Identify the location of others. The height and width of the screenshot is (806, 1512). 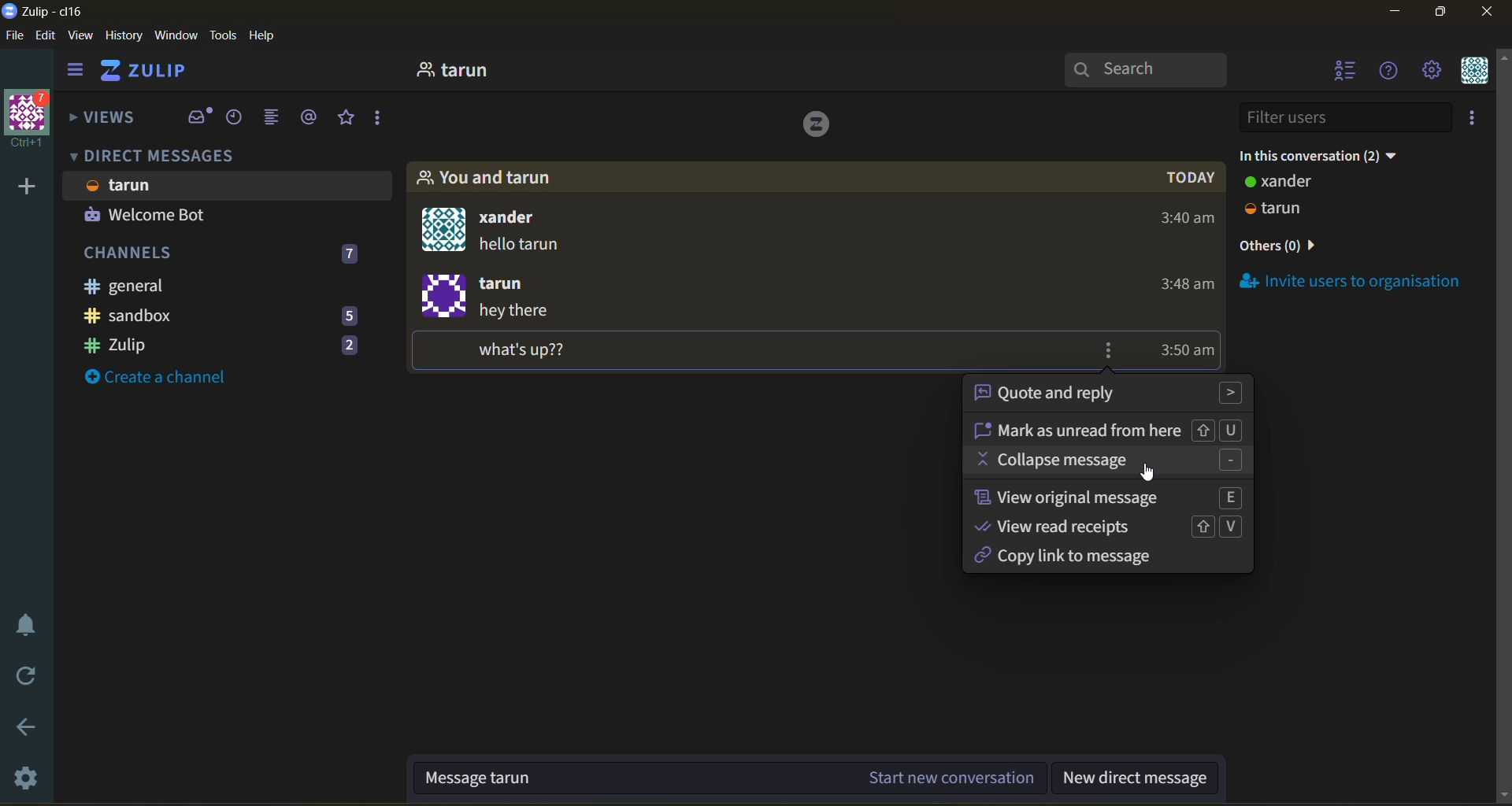
(1284, 247).